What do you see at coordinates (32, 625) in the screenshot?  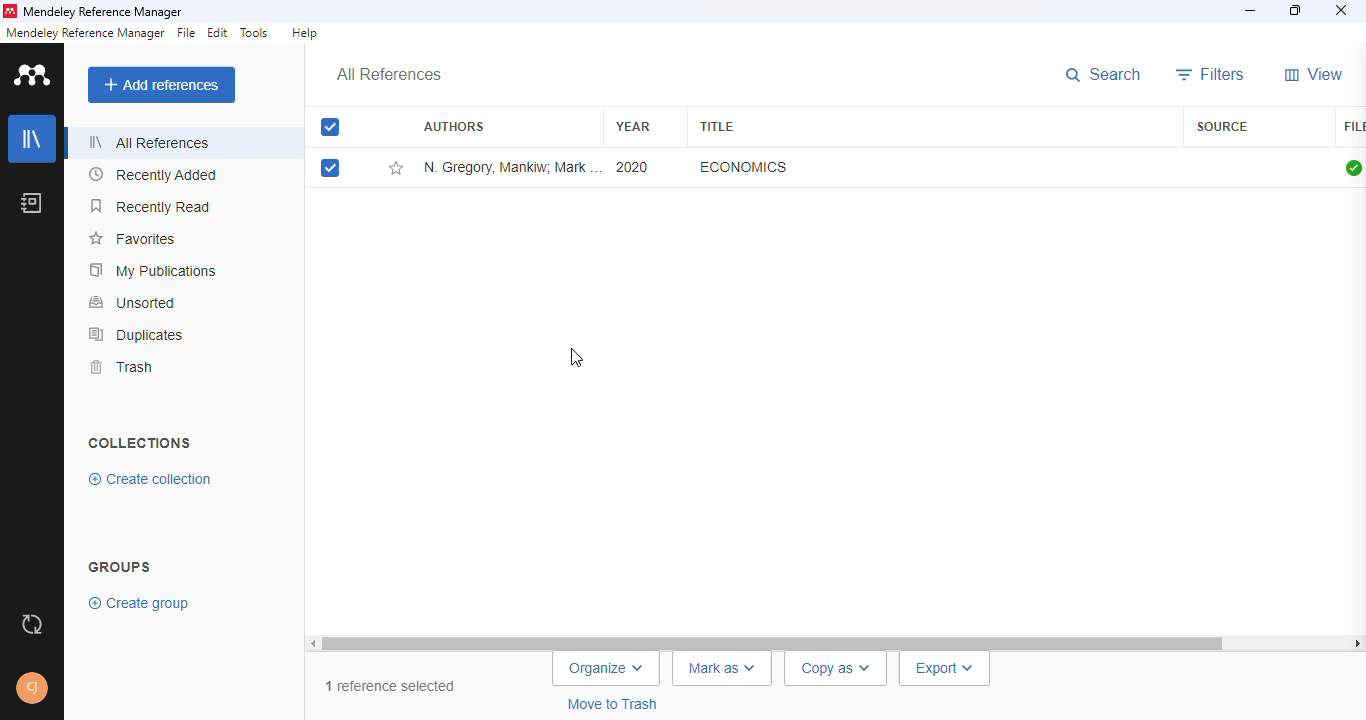 I see `sync` at bounding box center [32, 625].